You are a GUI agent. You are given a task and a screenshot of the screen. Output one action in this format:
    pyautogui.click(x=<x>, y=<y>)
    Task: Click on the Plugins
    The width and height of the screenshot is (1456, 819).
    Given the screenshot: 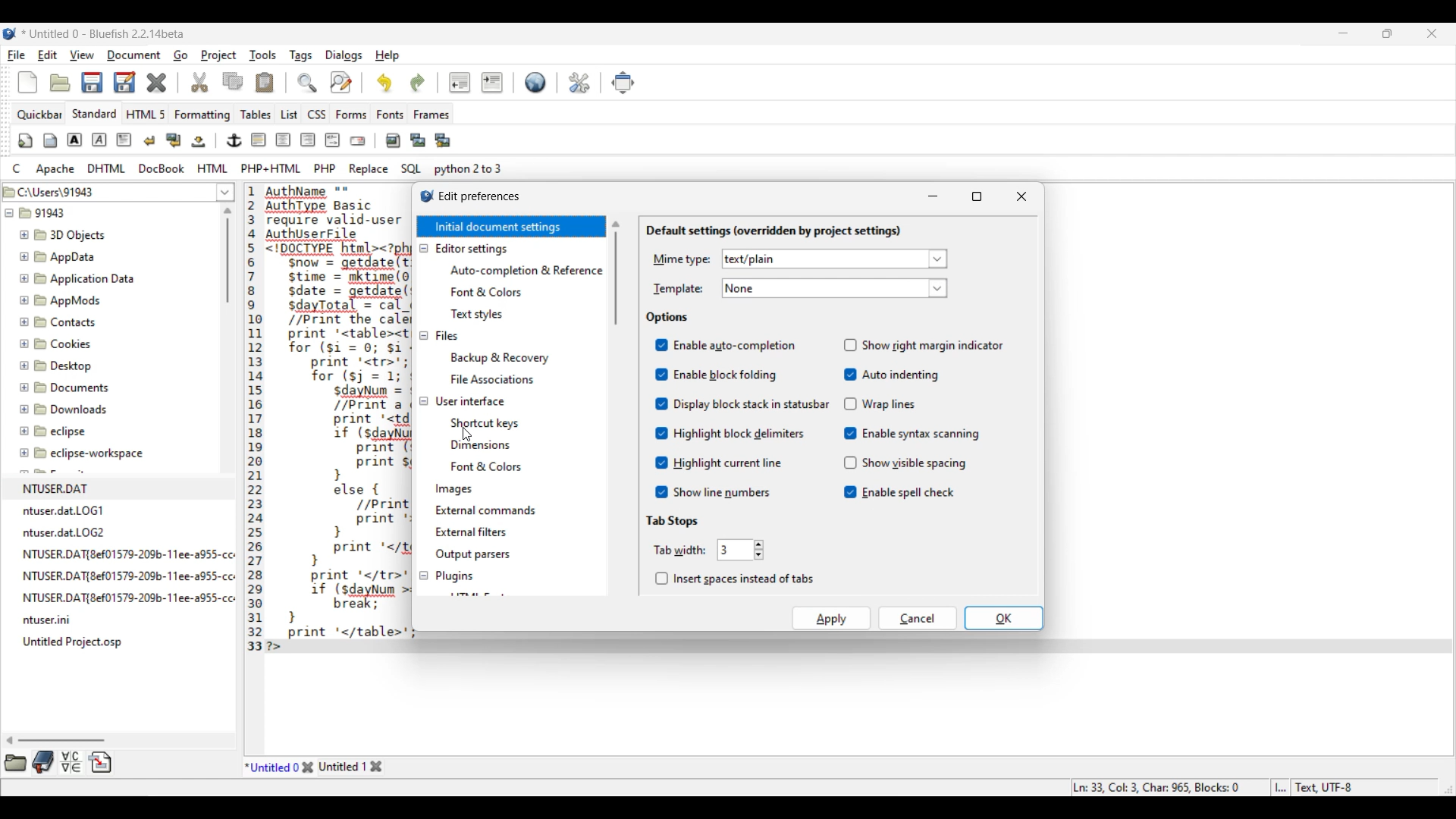 What is the action you would take?
    pyautogui.click(x=453, y=576)
    